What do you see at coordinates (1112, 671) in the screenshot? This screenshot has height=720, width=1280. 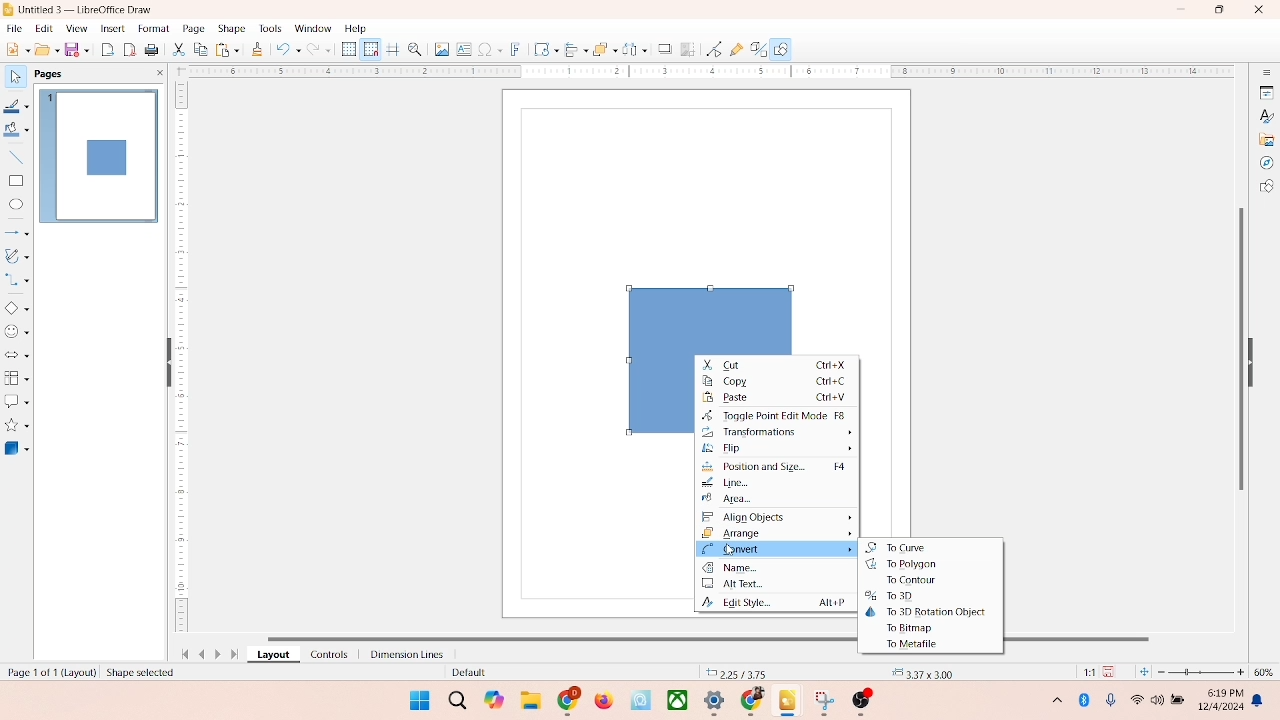 I see `save` at bounding box center [1112, 671].